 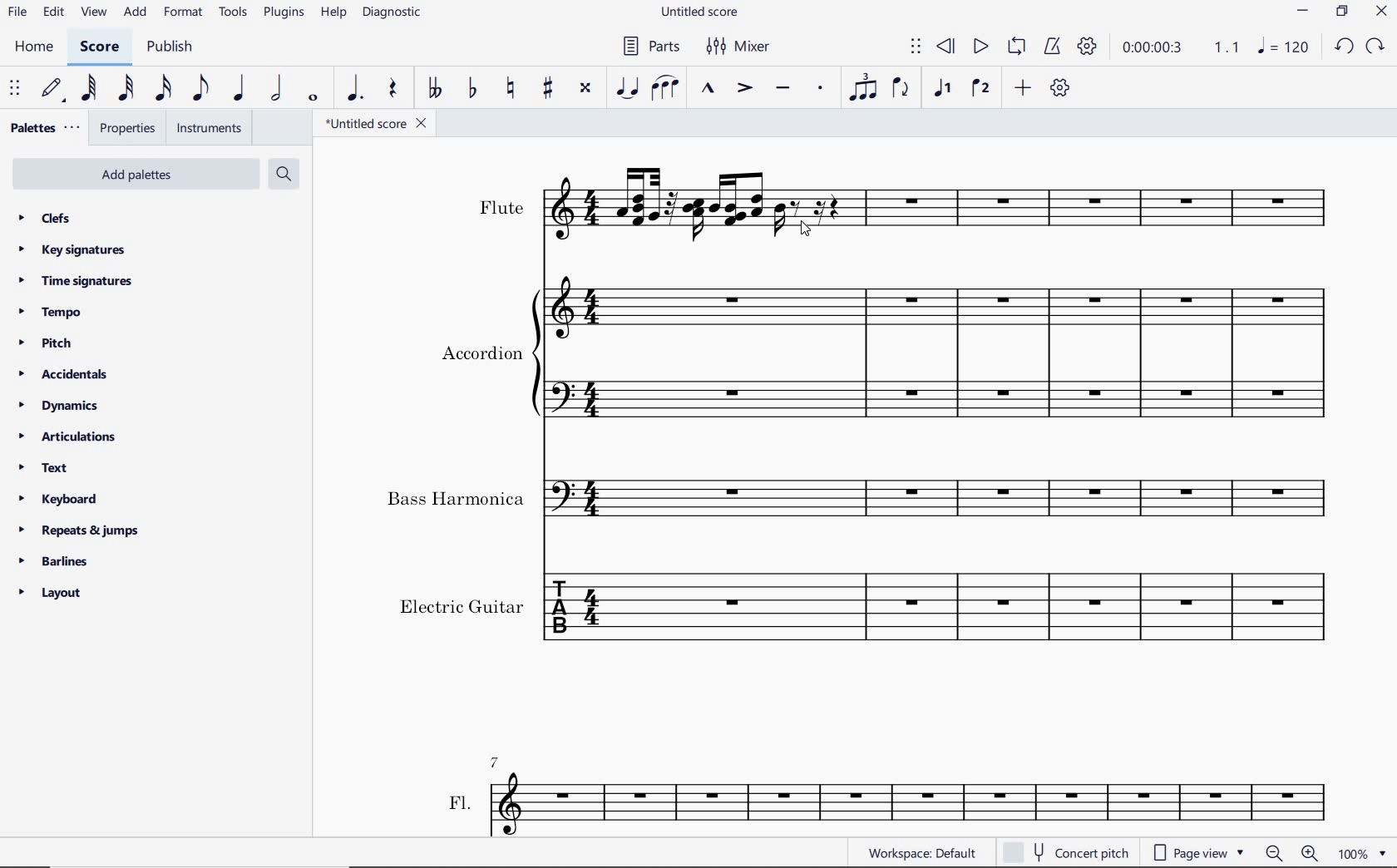 What do you see at coordinates (499, 760) in the screenshot?
I see `7` at bounding box center [499, 760].